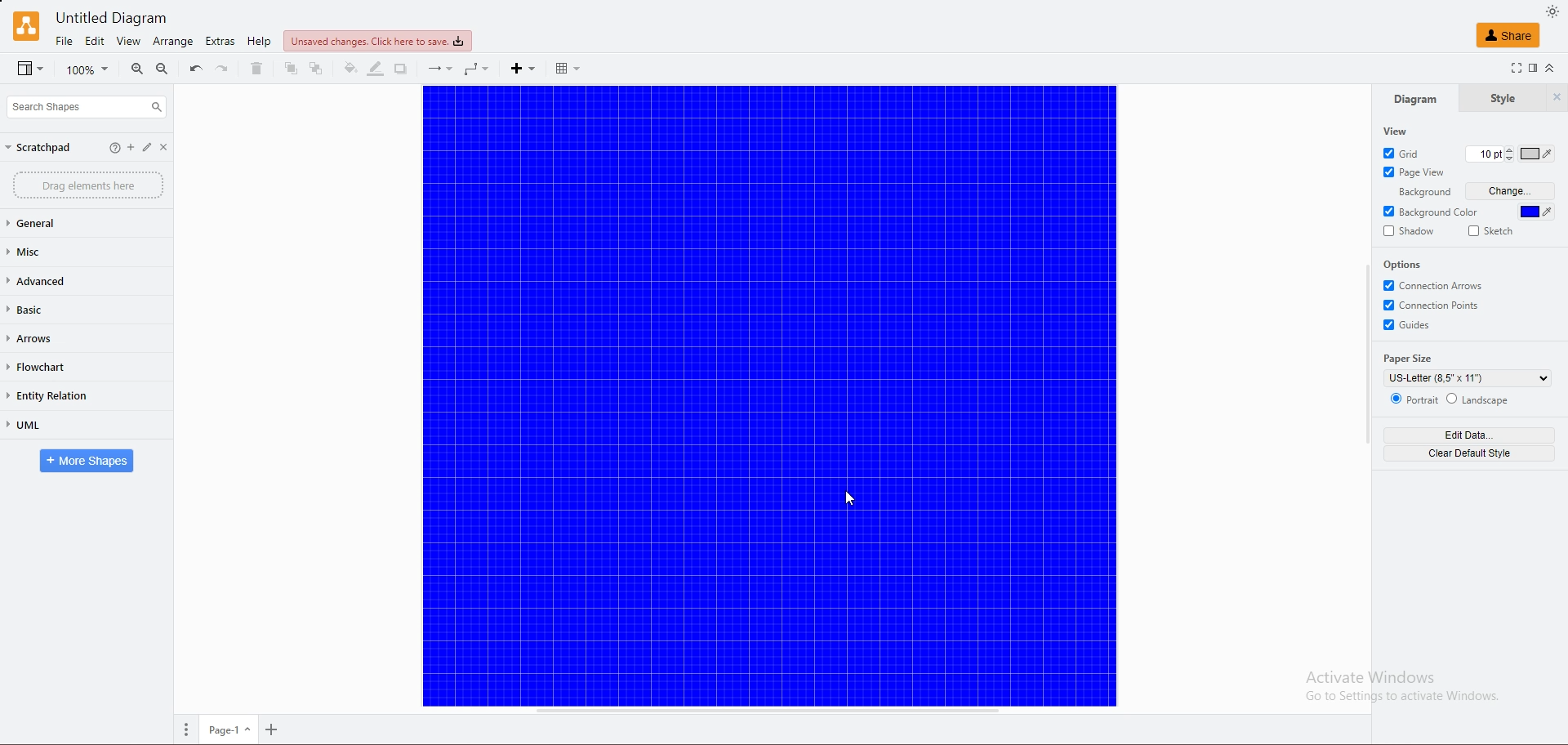  Describe the element at coordinates (1435, 305) in the screenshot. I see `connection points` at that location.